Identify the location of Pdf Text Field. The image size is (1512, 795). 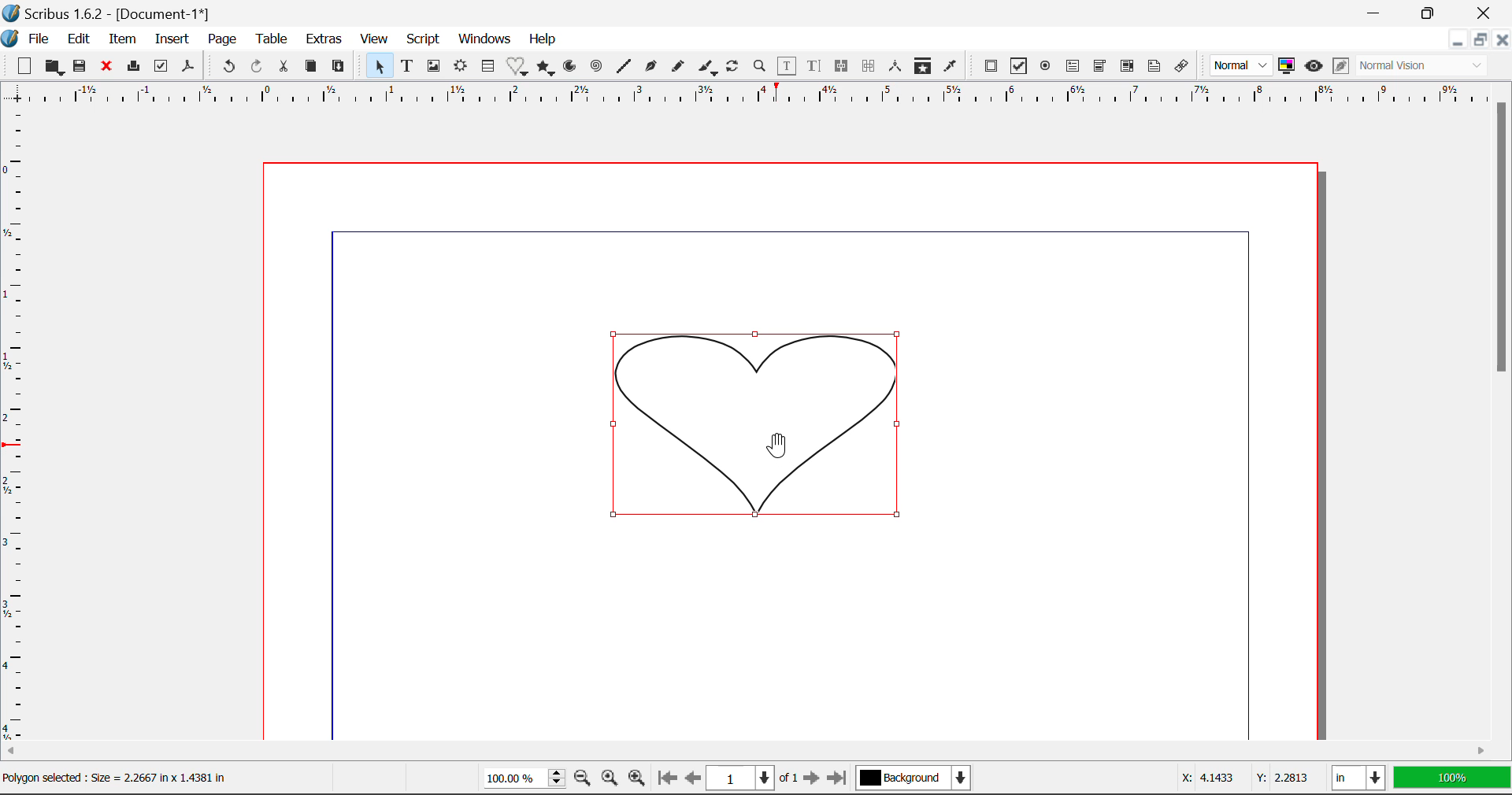
(1073, 68).